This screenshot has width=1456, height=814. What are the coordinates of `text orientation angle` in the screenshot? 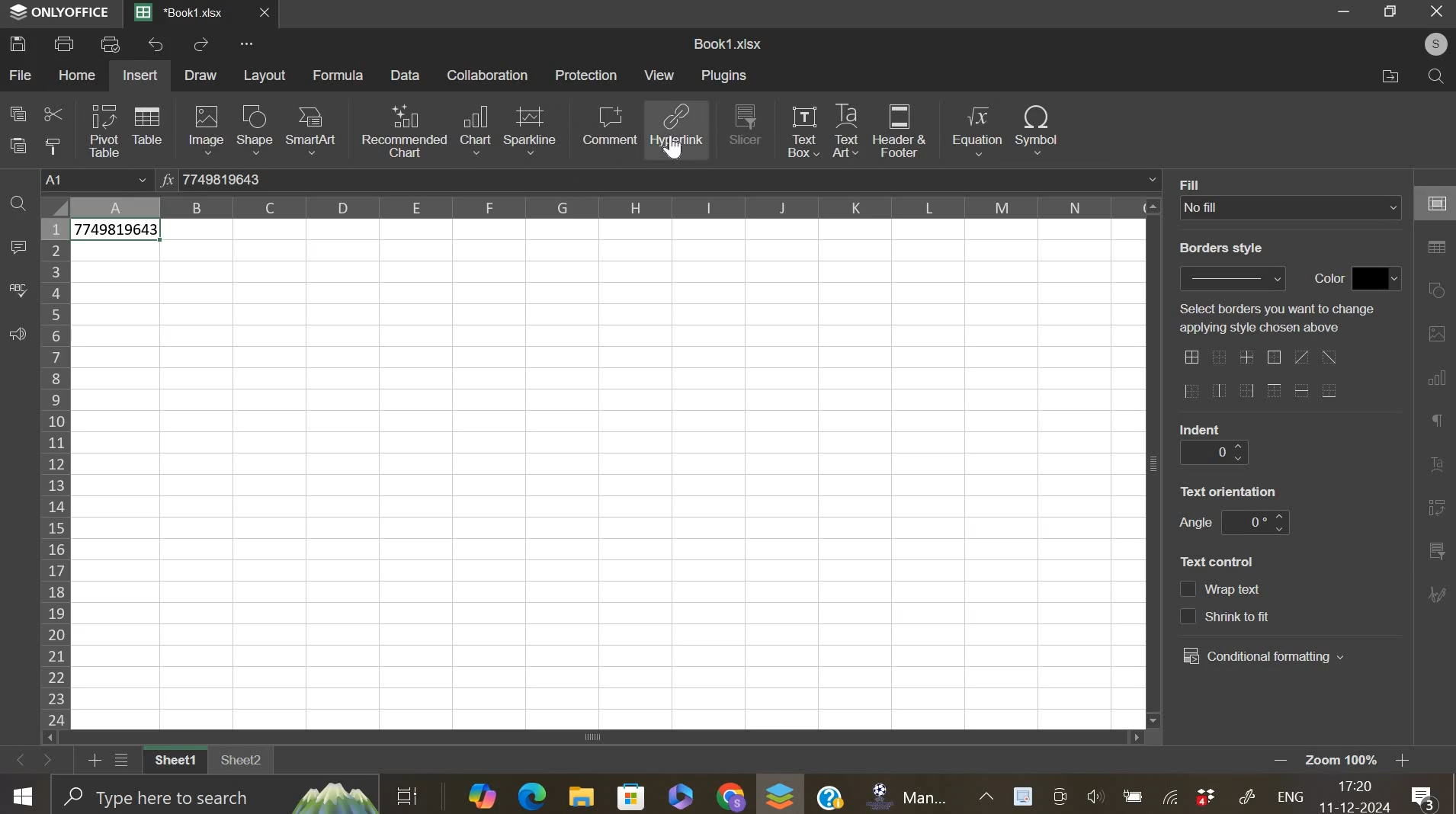 It's located at (1255, 522).